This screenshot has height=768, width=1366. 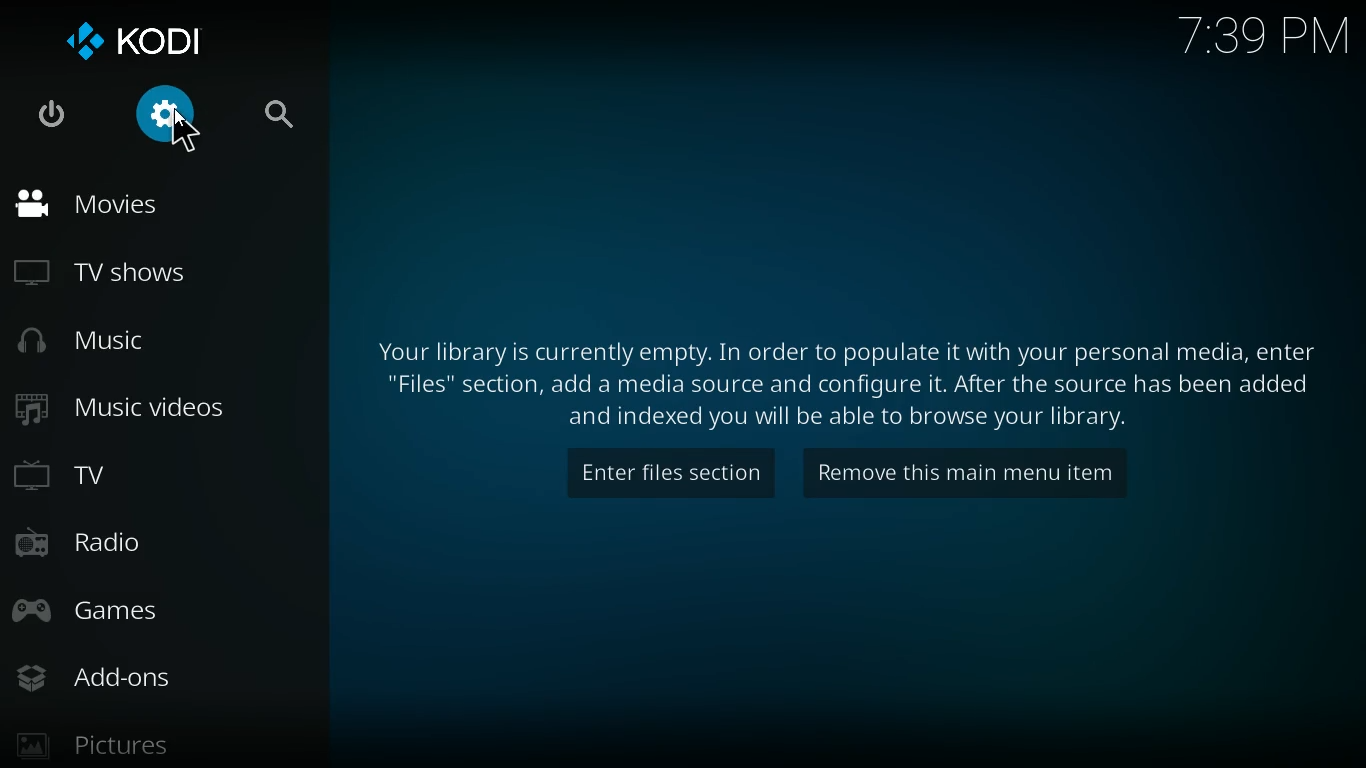 I want to click on power, so click(x=50, y=115).